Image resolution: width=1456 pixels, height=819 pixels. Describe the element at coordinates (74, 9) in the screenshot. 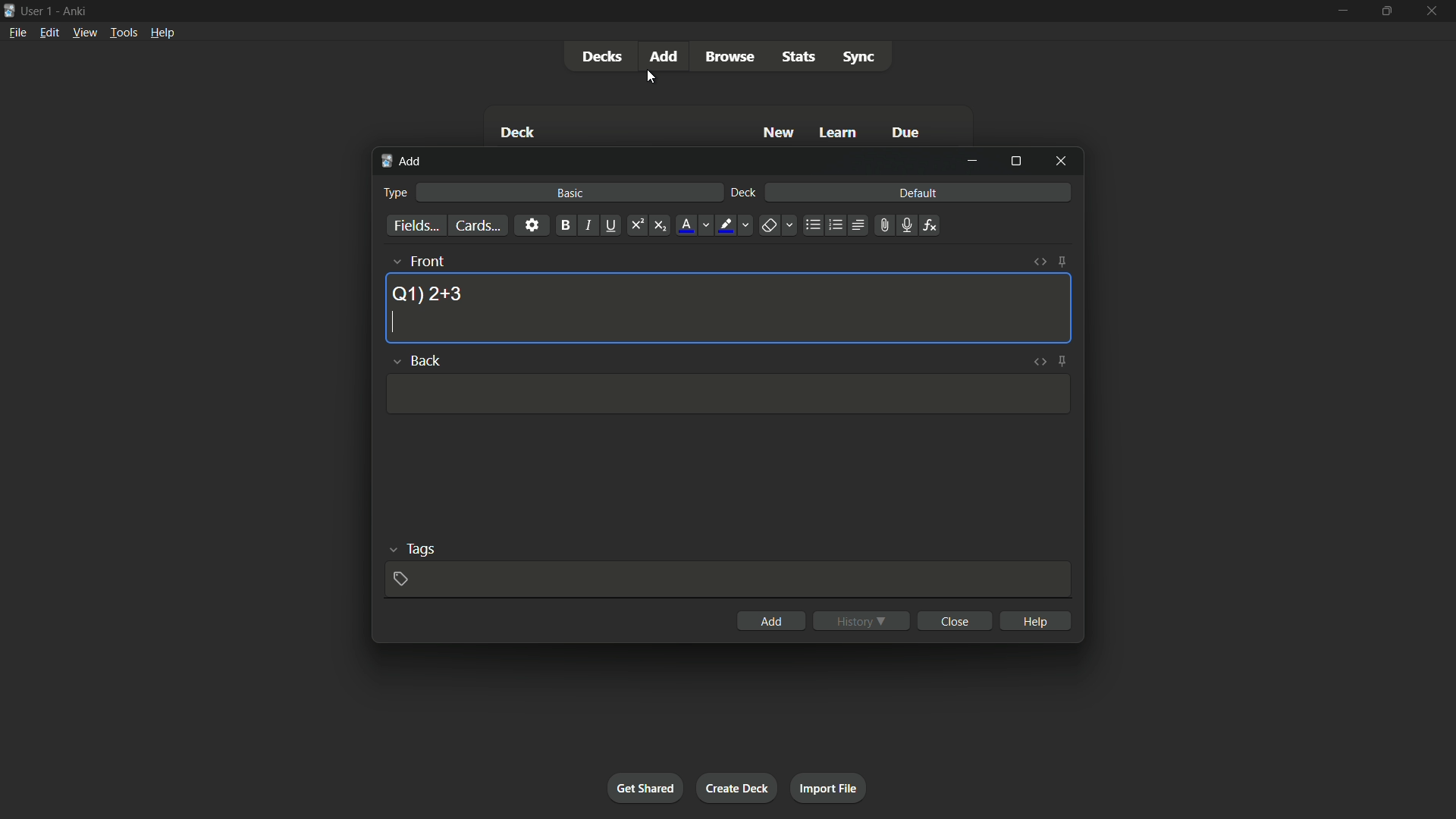

I see `app name` at that location.